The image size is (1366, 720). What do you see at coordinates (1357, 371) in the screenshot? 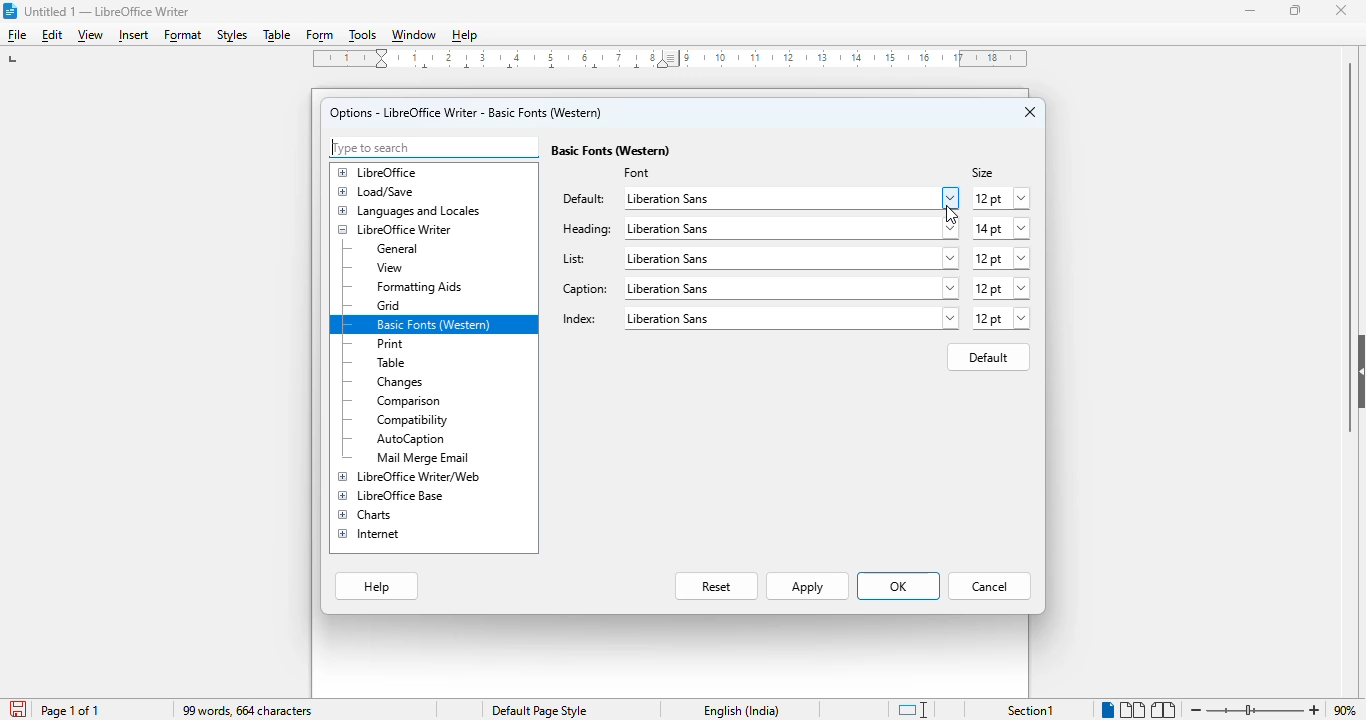
I see `show` at bounding box center [1357, 371].